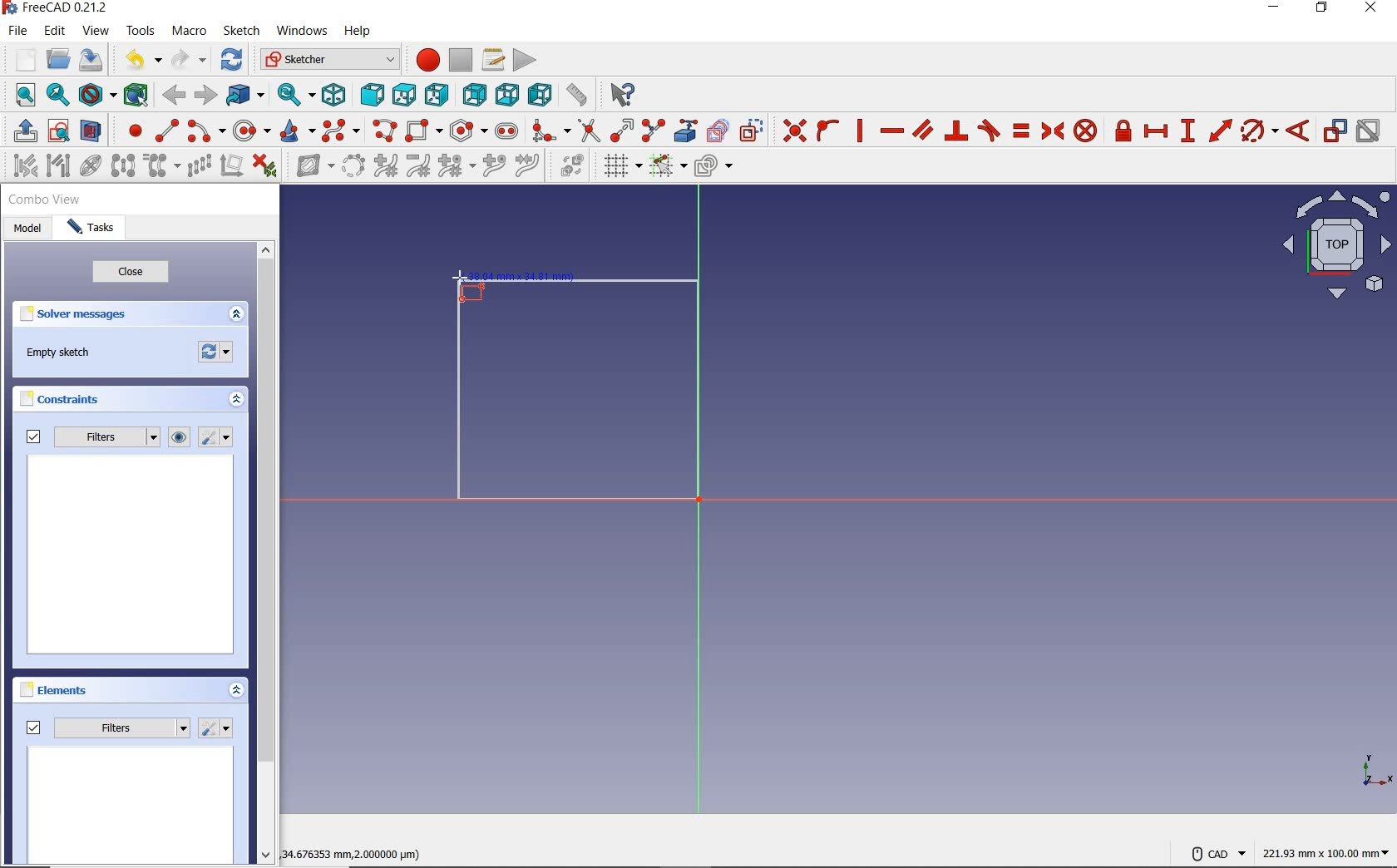 Image resolution: width=1397 pixels, height=868 pixels. What do you see at coordinates (175, 96) in the screenshot?
I see `back` at bounding box center [175, 96].